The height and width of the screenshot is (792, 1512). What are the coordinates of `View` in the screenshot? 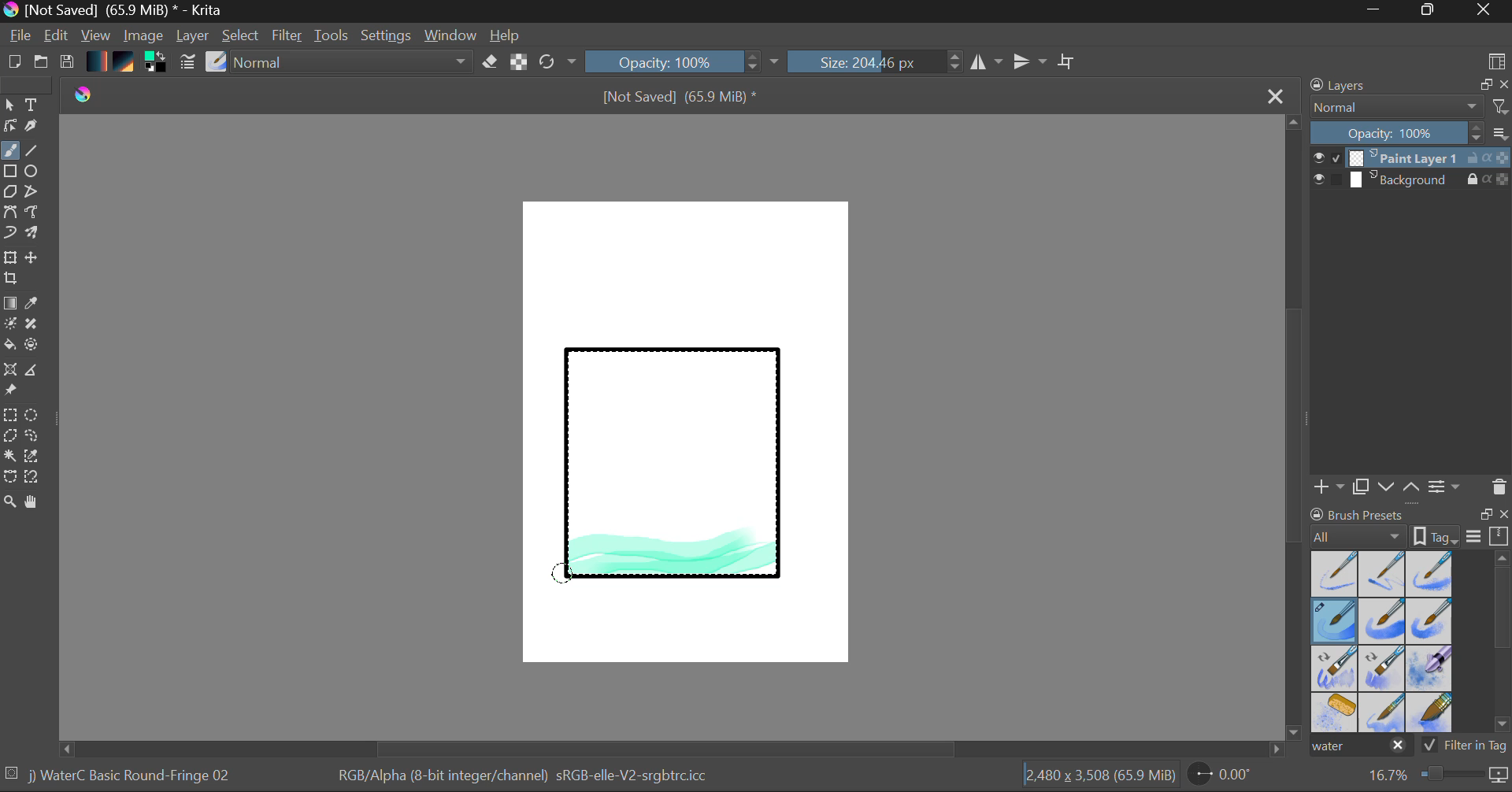 It's located at (96, 35).